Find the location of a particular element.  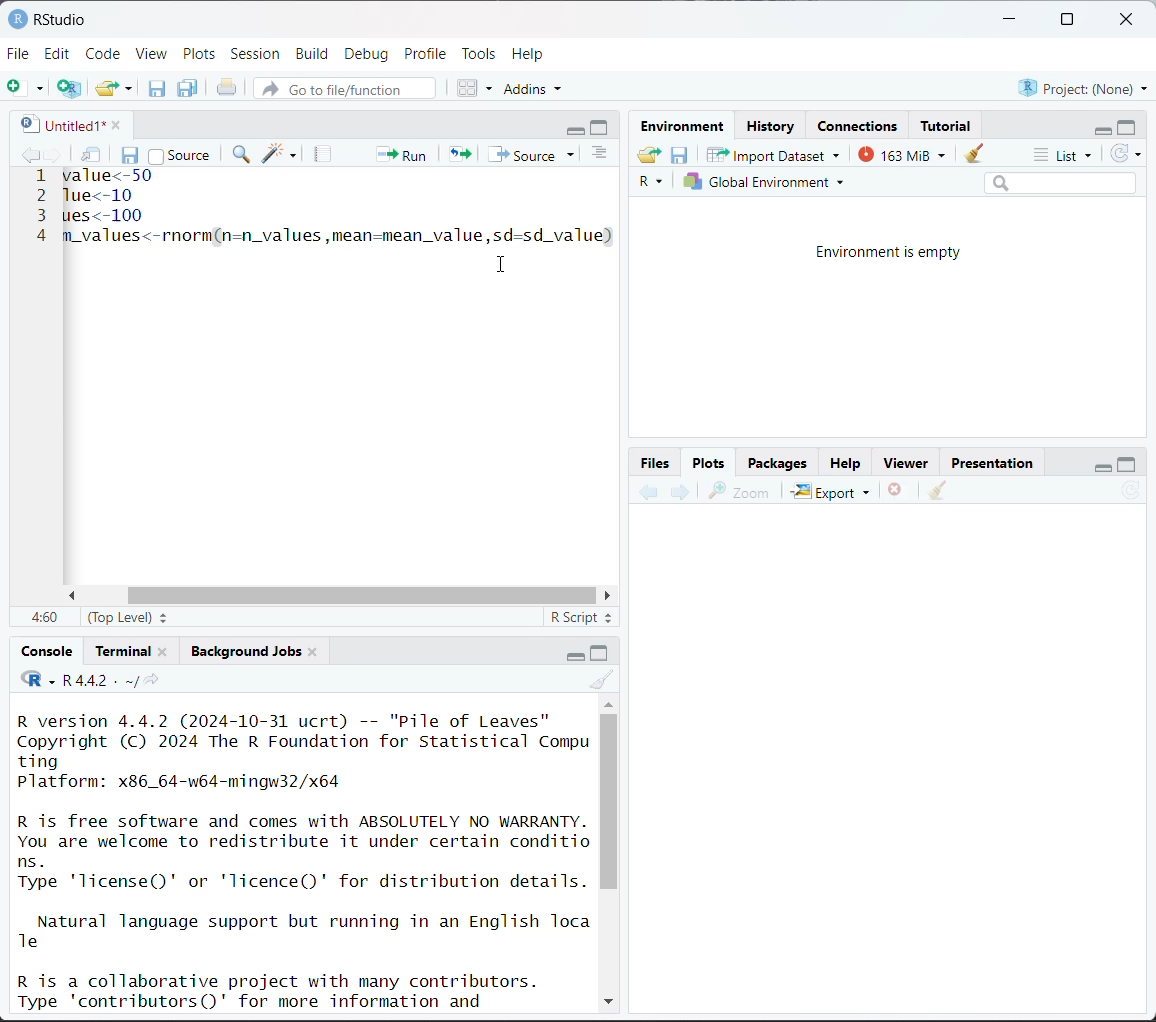

Tutorial is located at coordinates (948, 123).